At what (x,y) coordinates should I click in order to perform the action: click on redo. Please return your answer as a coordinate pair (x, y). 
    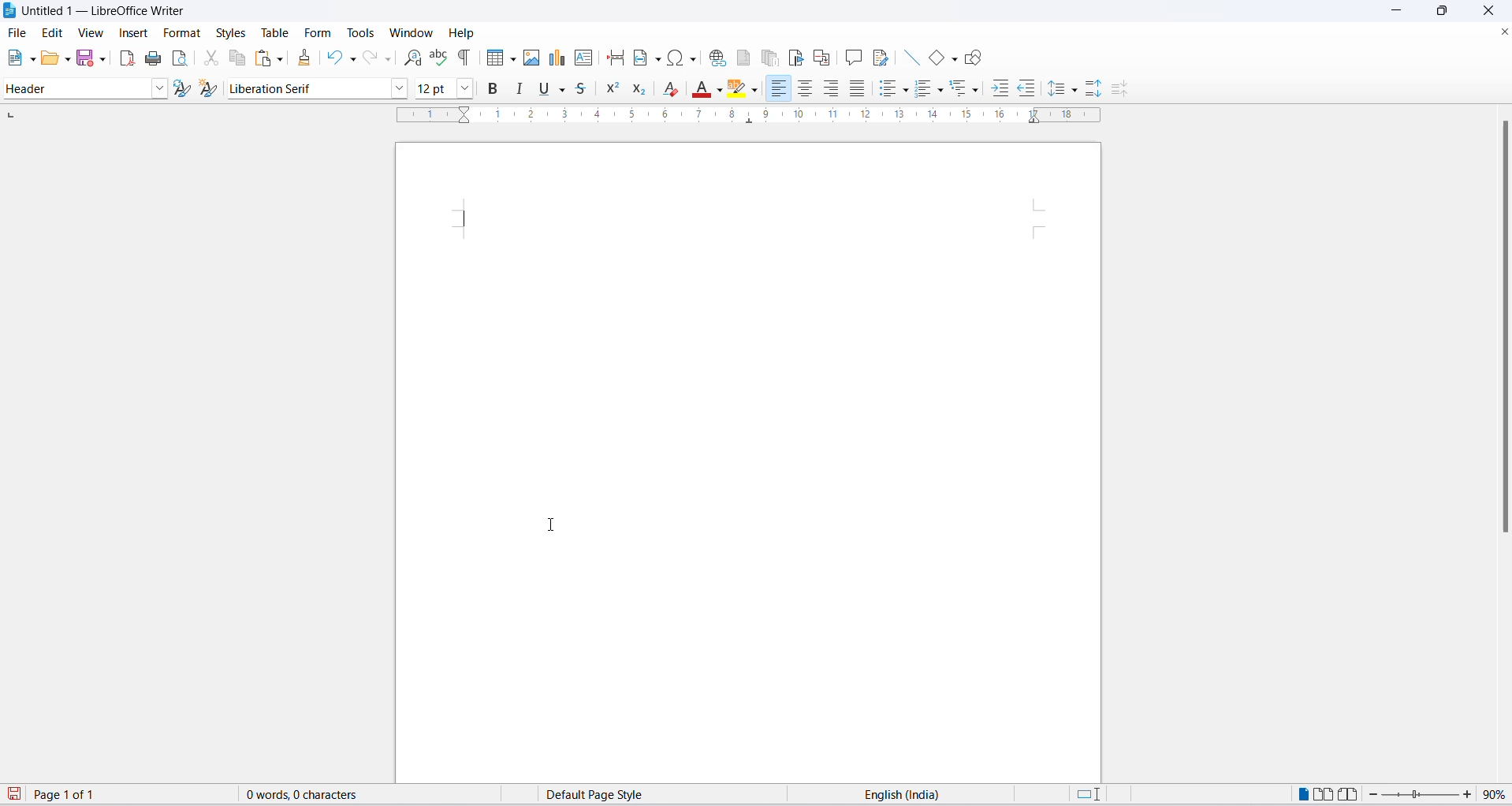
    Looking at the image, I should click on (378, 58).